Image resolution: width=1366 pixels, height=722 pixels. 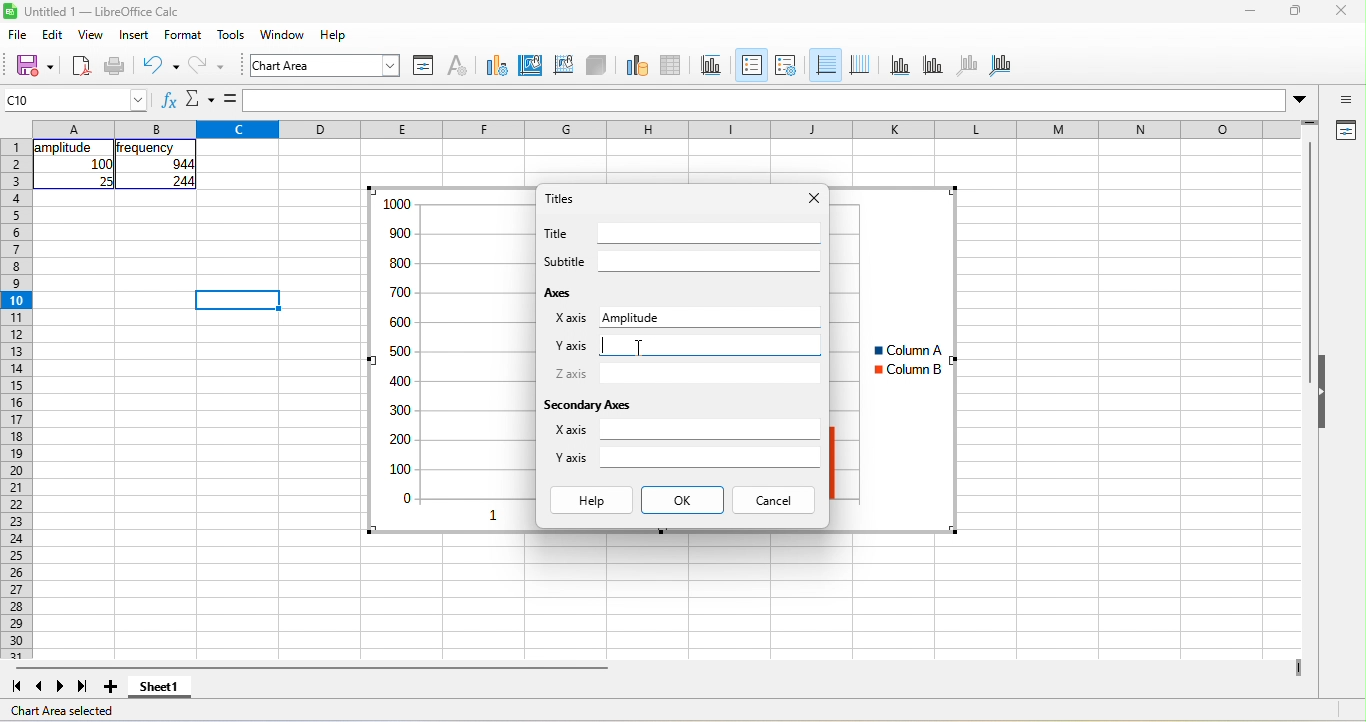 What do you see at coordinates (571, 373) in the screenshot?
I see `Z axis` at bounding box center [571, 373].